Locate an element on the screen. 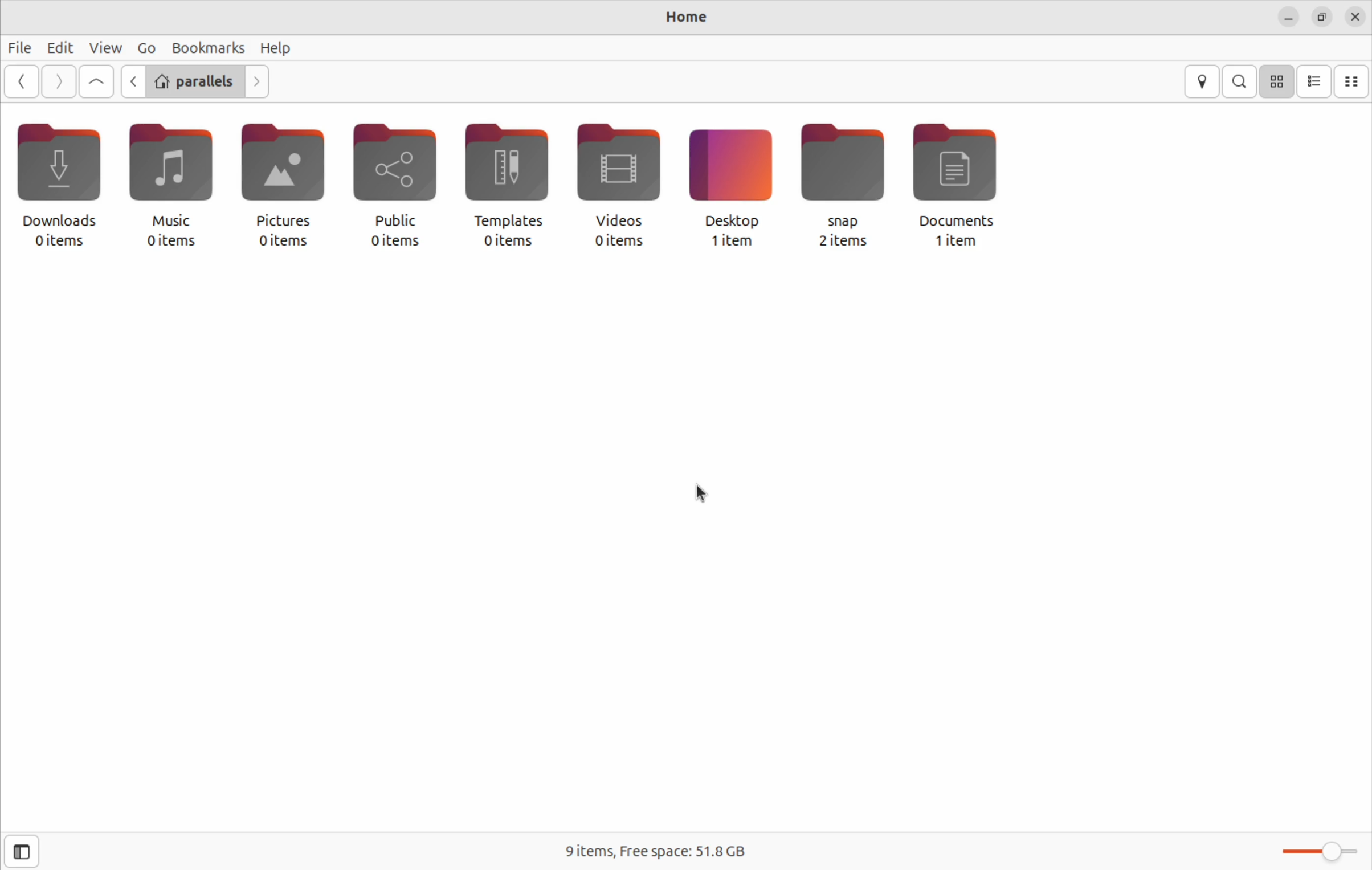 The height and width of the screenshot is (870, 1372). 0 items is located at coordinates (507, 242).